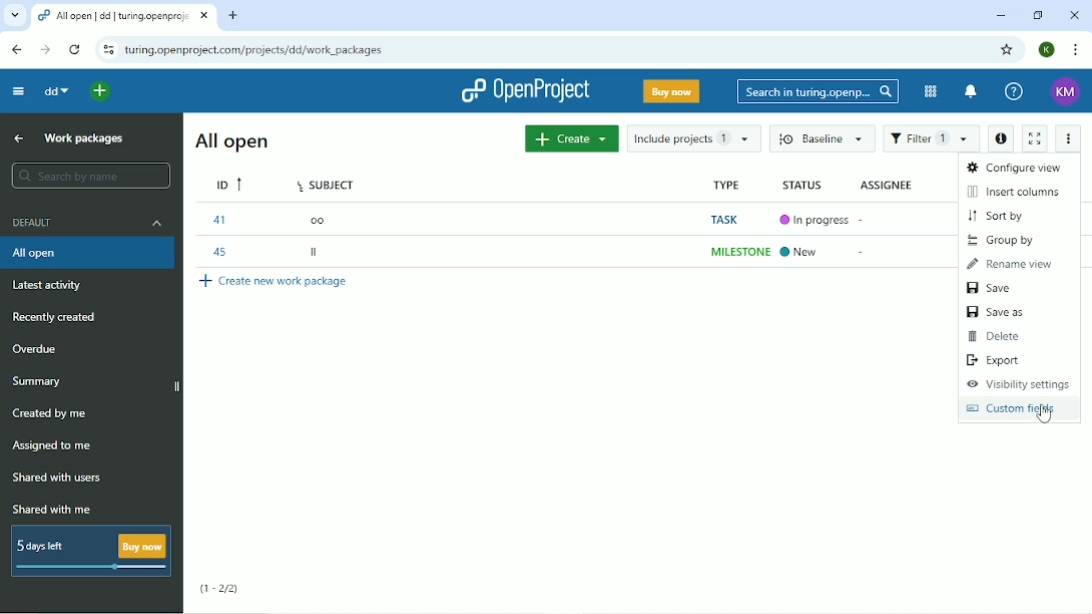  What do you see at coordinates (1066, 92) in the screenshot?
I see `Account` at bounding box center [1066, 92].